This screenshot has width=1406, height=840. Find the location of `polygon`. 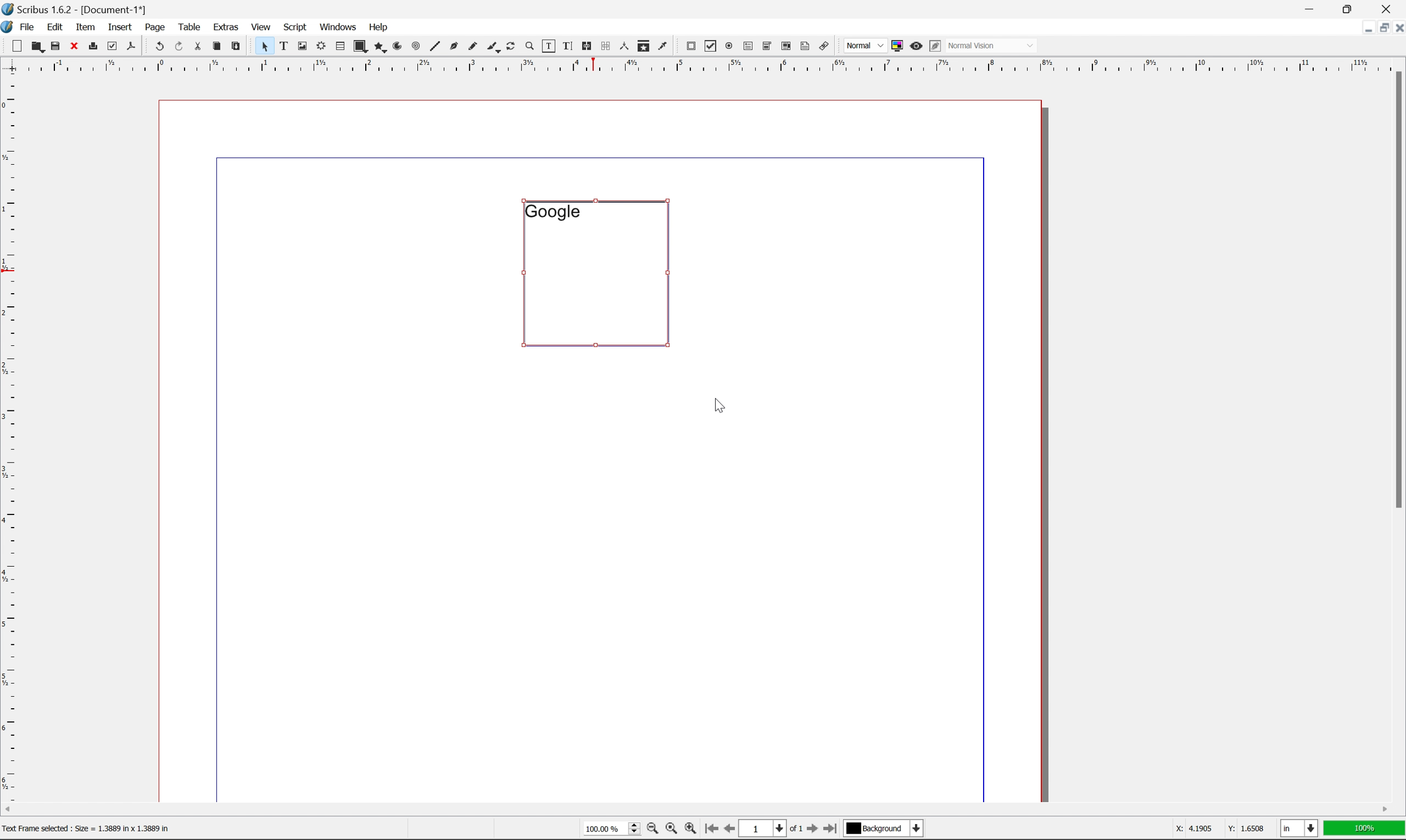

polygon is located at coordinates (381, 48).